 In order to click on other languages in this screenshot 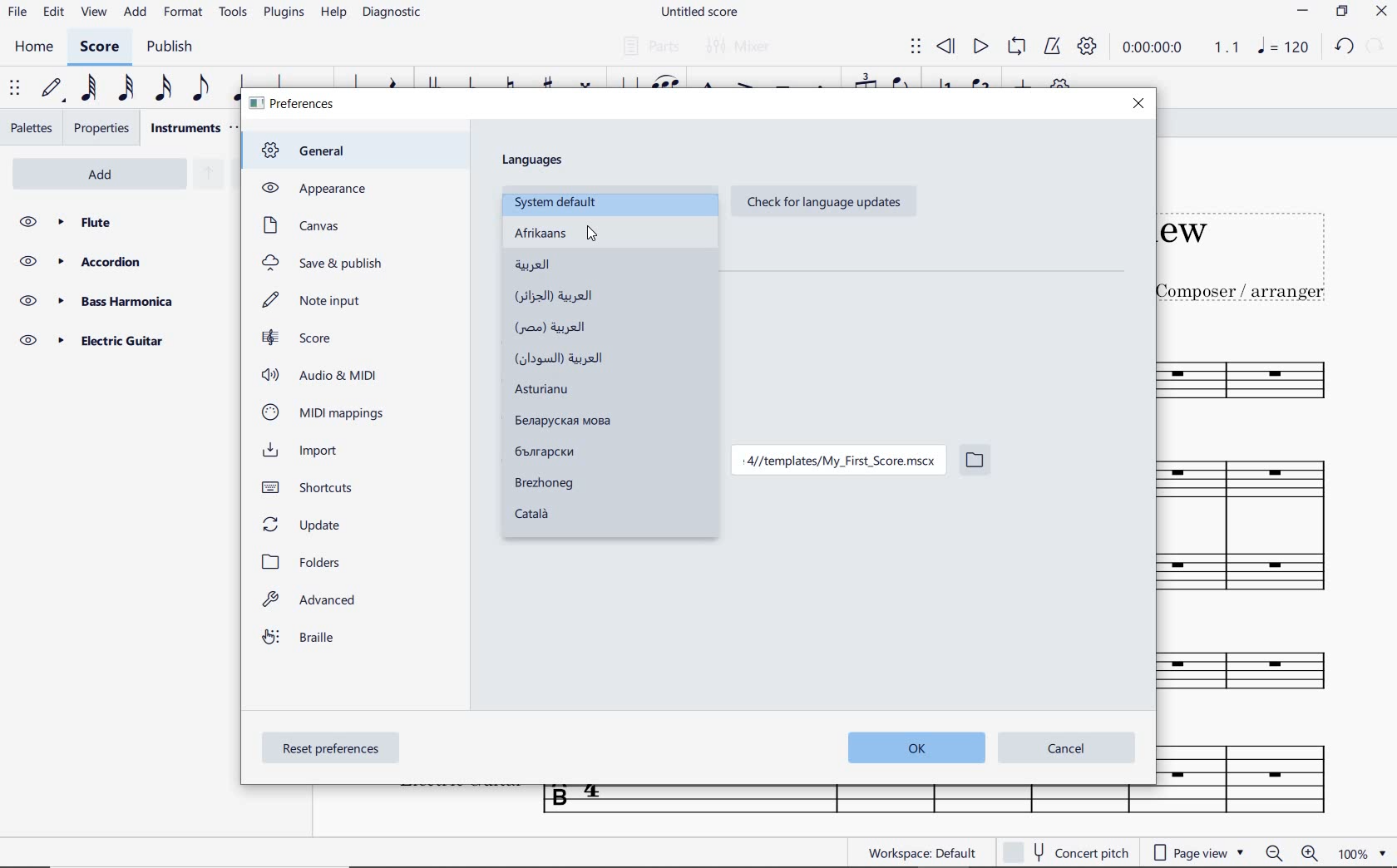, I will do `click(570, 358)`.